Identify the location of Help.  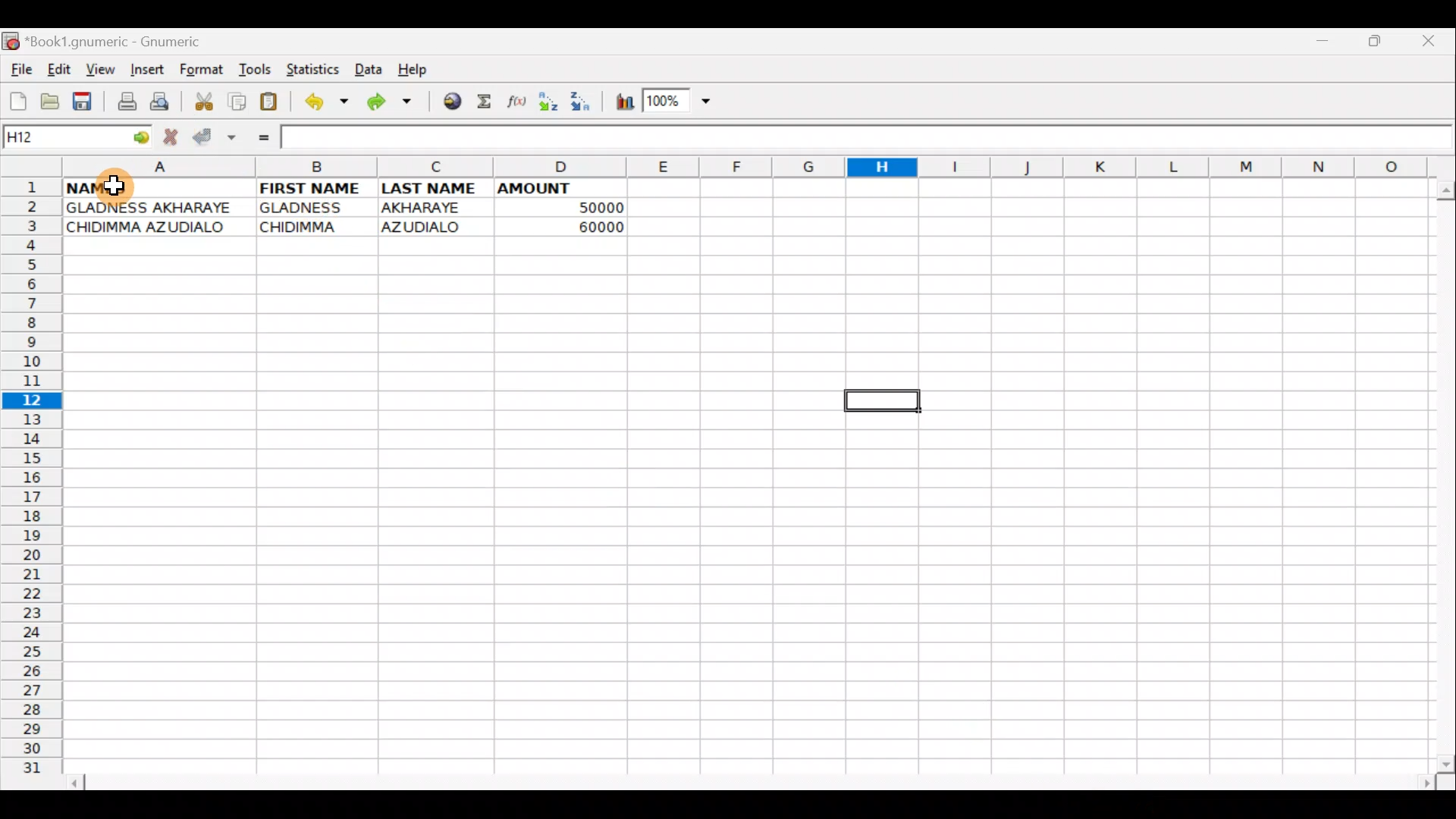
(419, 66).